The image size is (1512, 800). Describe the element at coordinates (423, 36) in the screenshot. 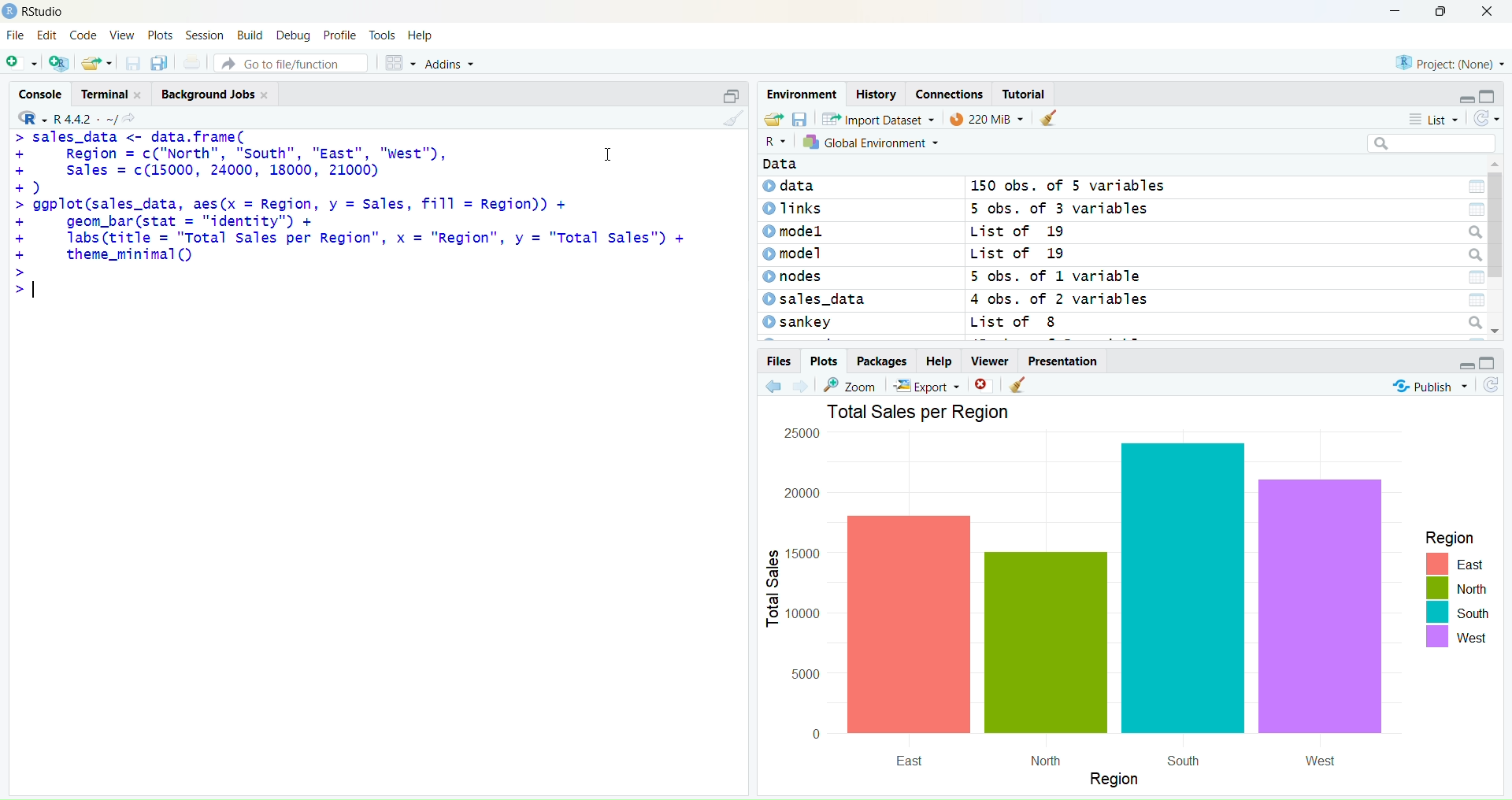

I see `Help` at that location.